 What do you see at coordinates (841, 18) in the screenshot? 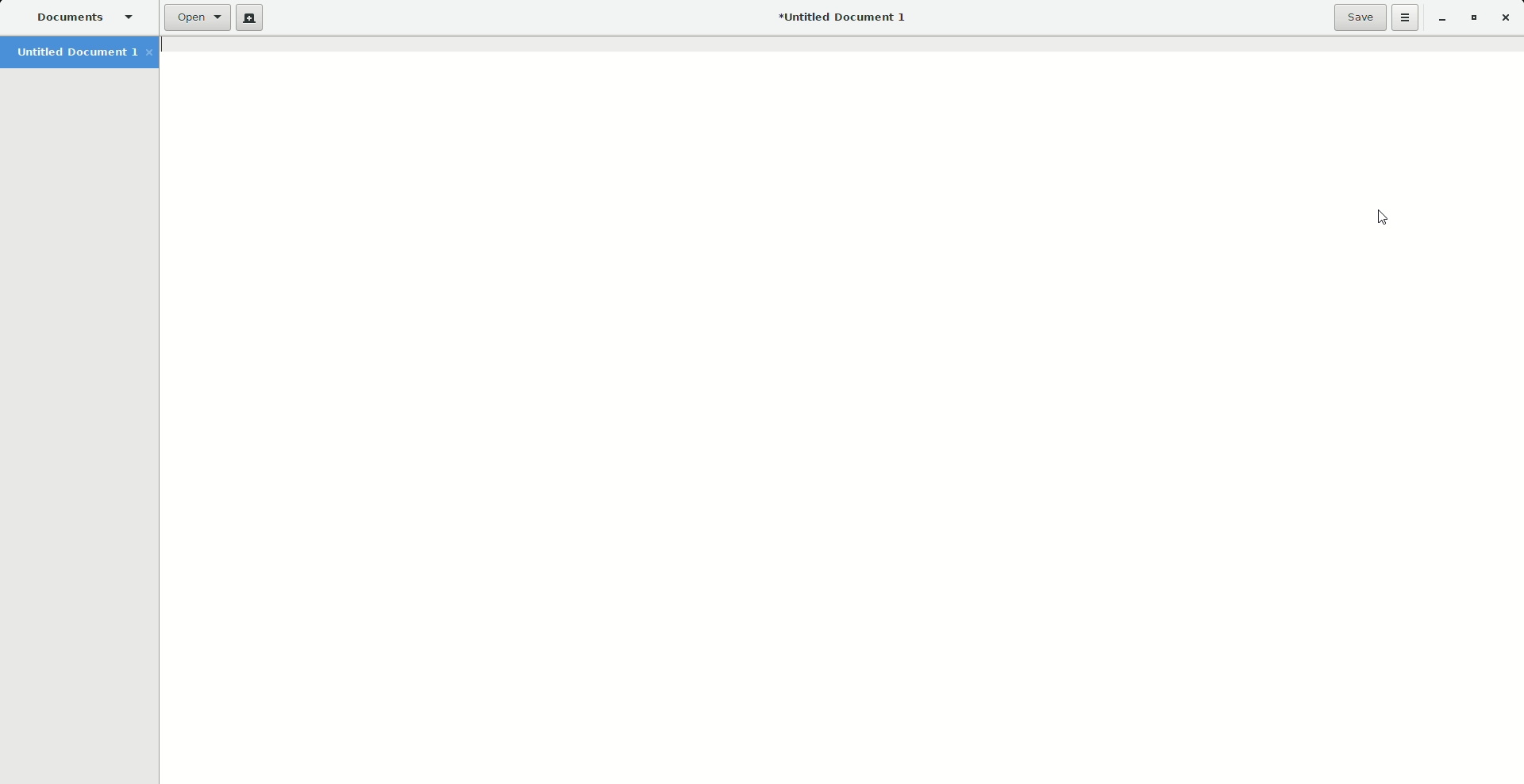
I see `Untitled document` at bounding box center [841, 18].